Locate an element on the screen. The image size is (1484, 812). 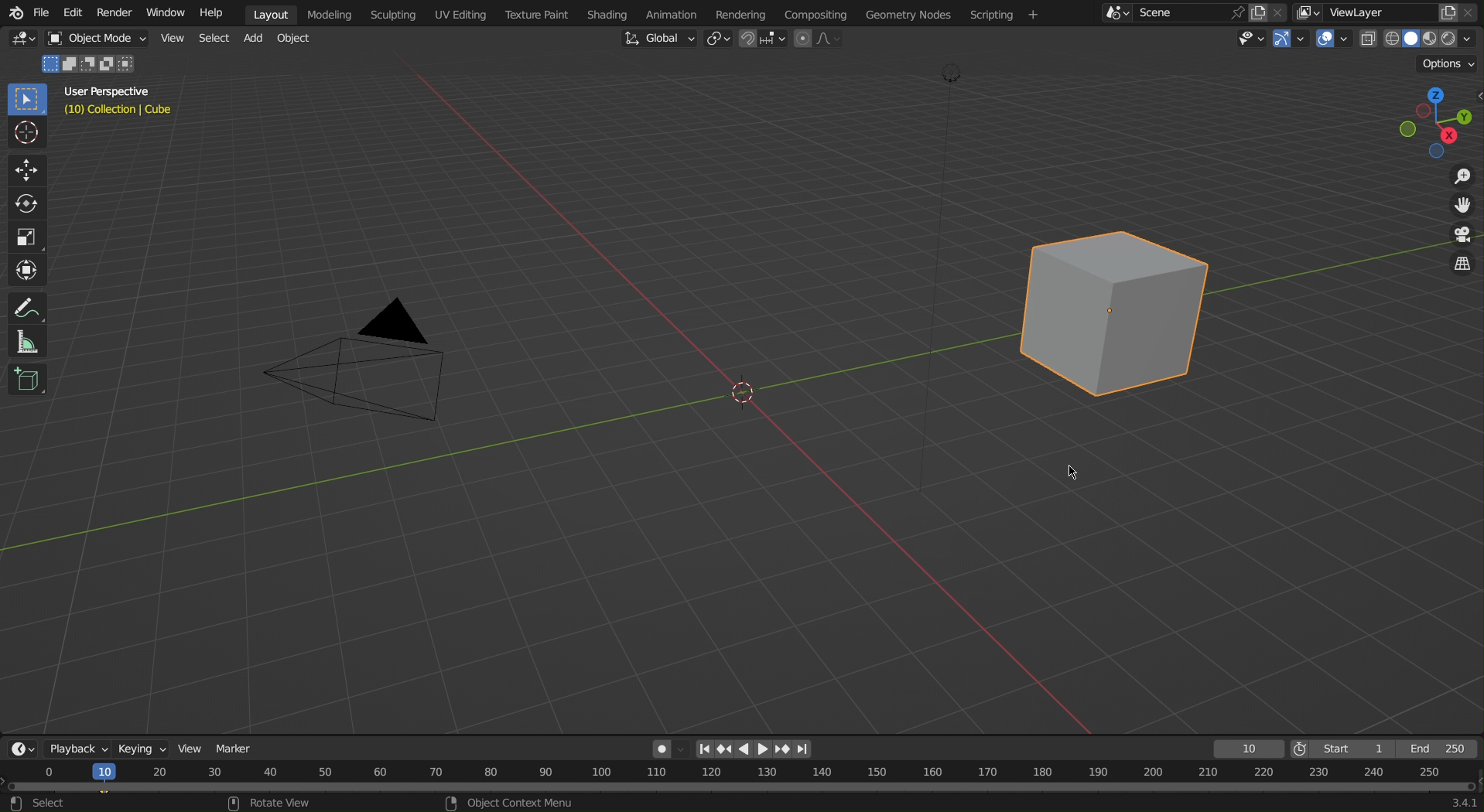
End is located at coordinates (1441, 749).